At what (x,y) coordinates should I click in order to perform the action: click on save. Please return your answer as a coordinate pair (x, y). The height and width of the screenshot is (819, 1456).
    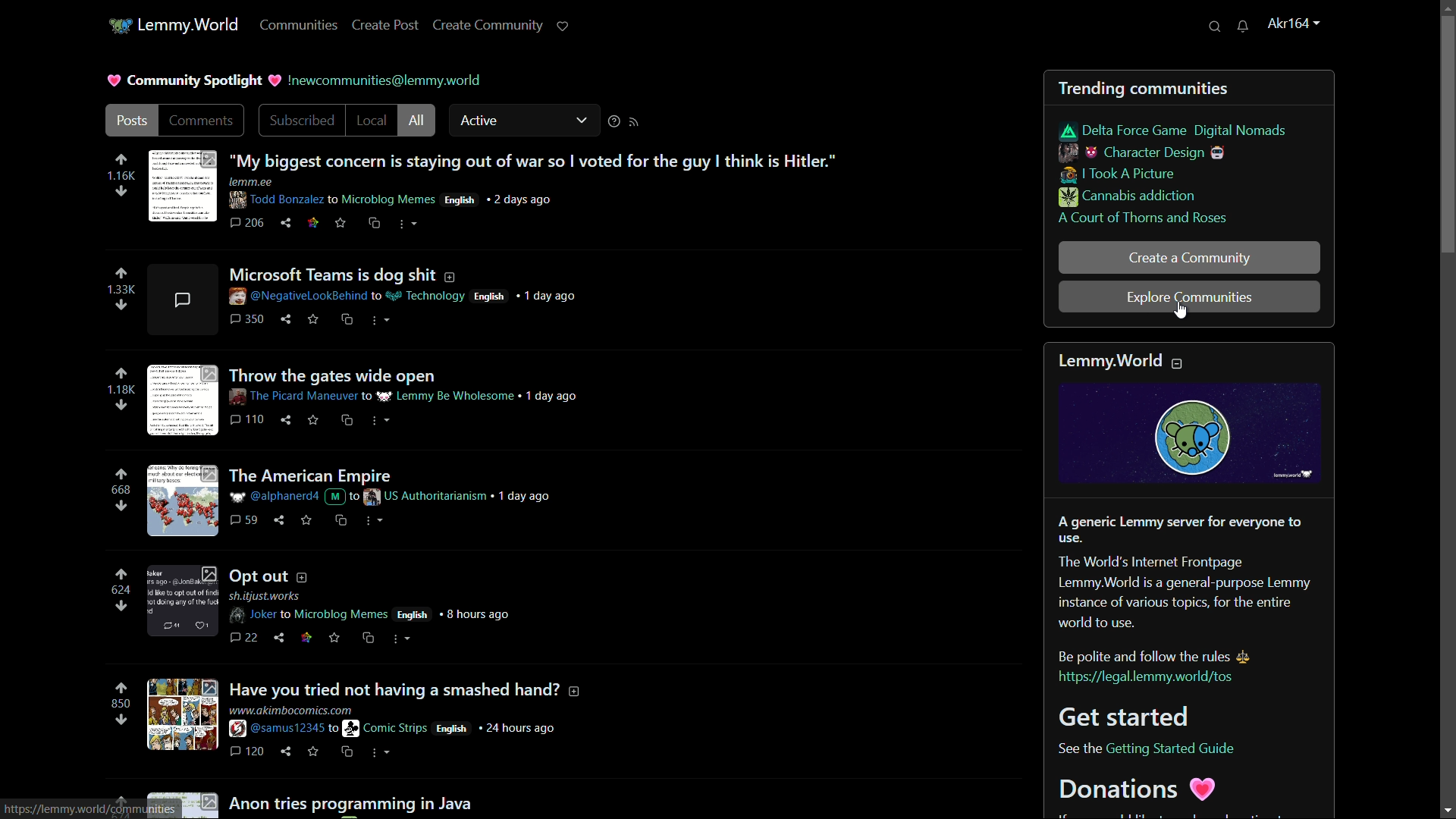
    Looking at the image, I should click on (313, 318).